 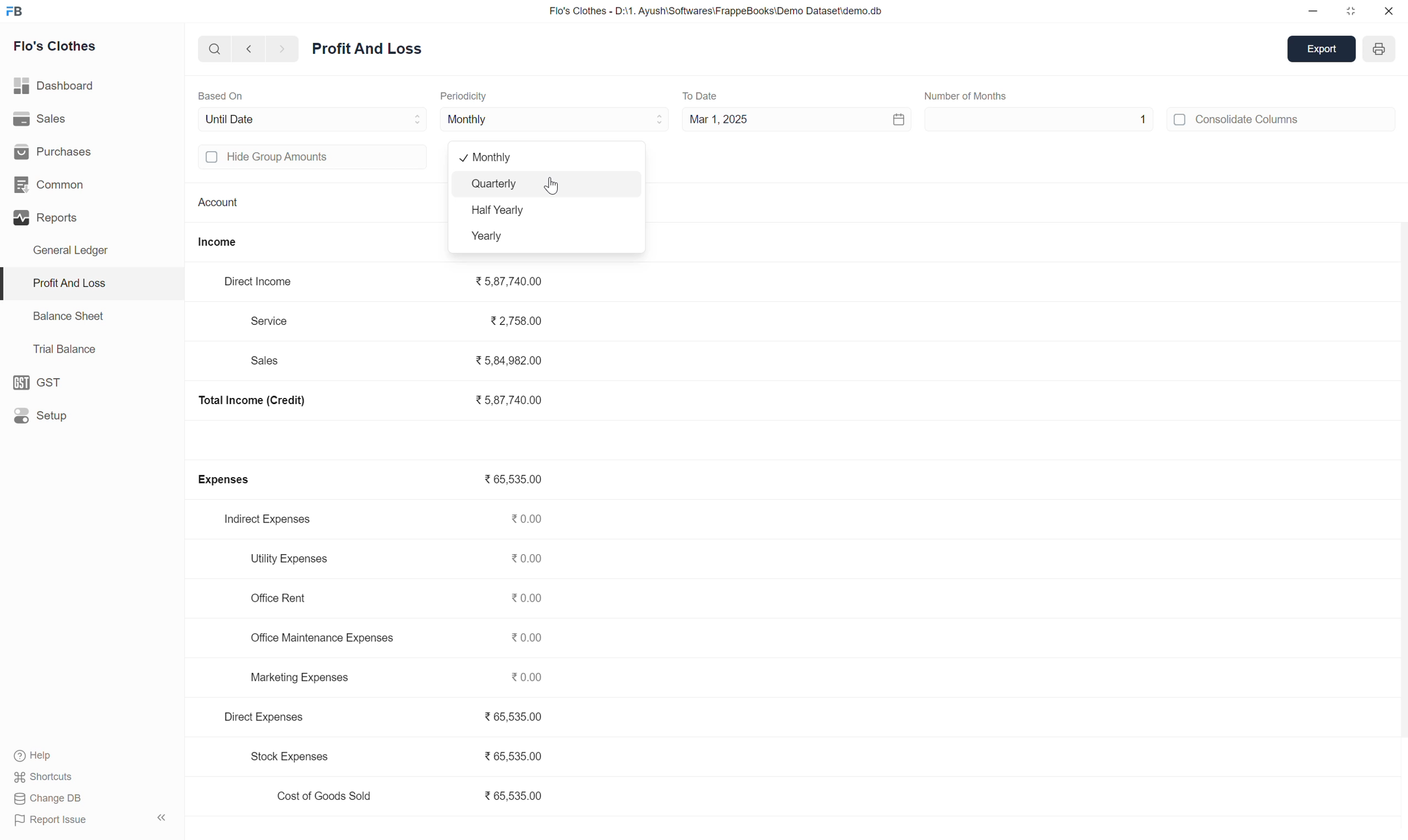 What do you see at coordinates (289, 556) in the screenshot?
I see `Utility Expenses` at bounding box center [289, 556].